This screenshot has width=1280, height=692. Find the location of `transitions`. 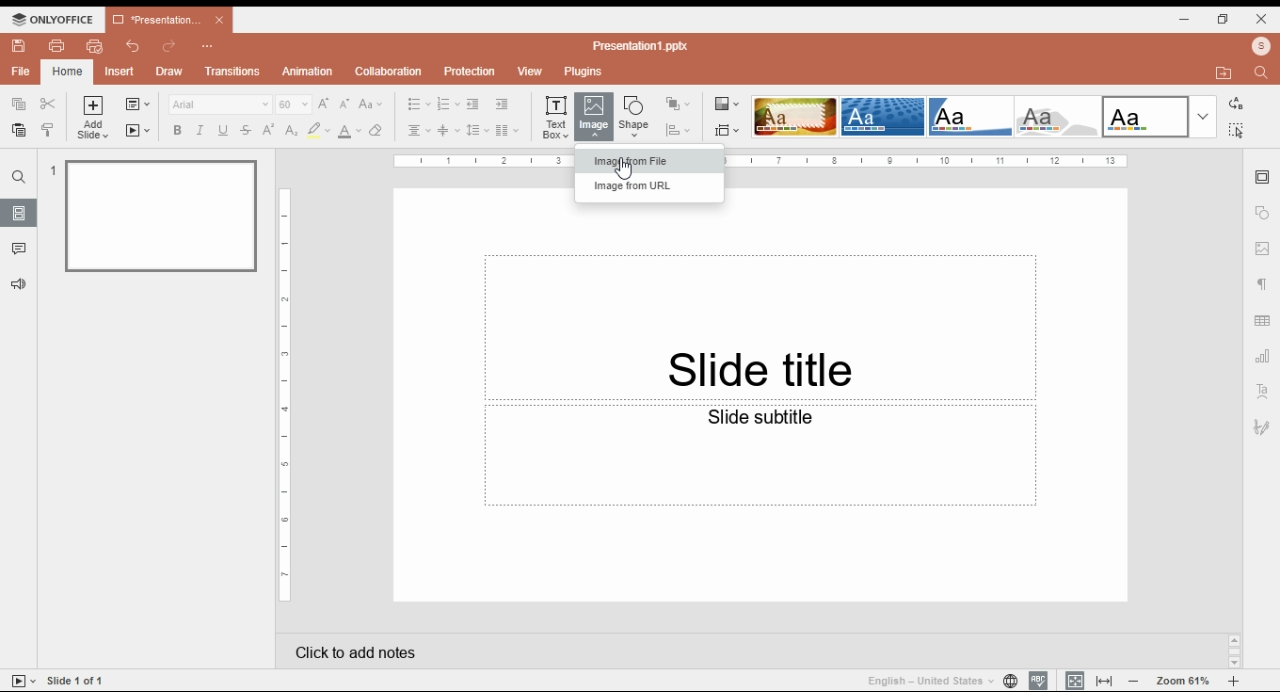

transitions is located at coordinates (233, 72).